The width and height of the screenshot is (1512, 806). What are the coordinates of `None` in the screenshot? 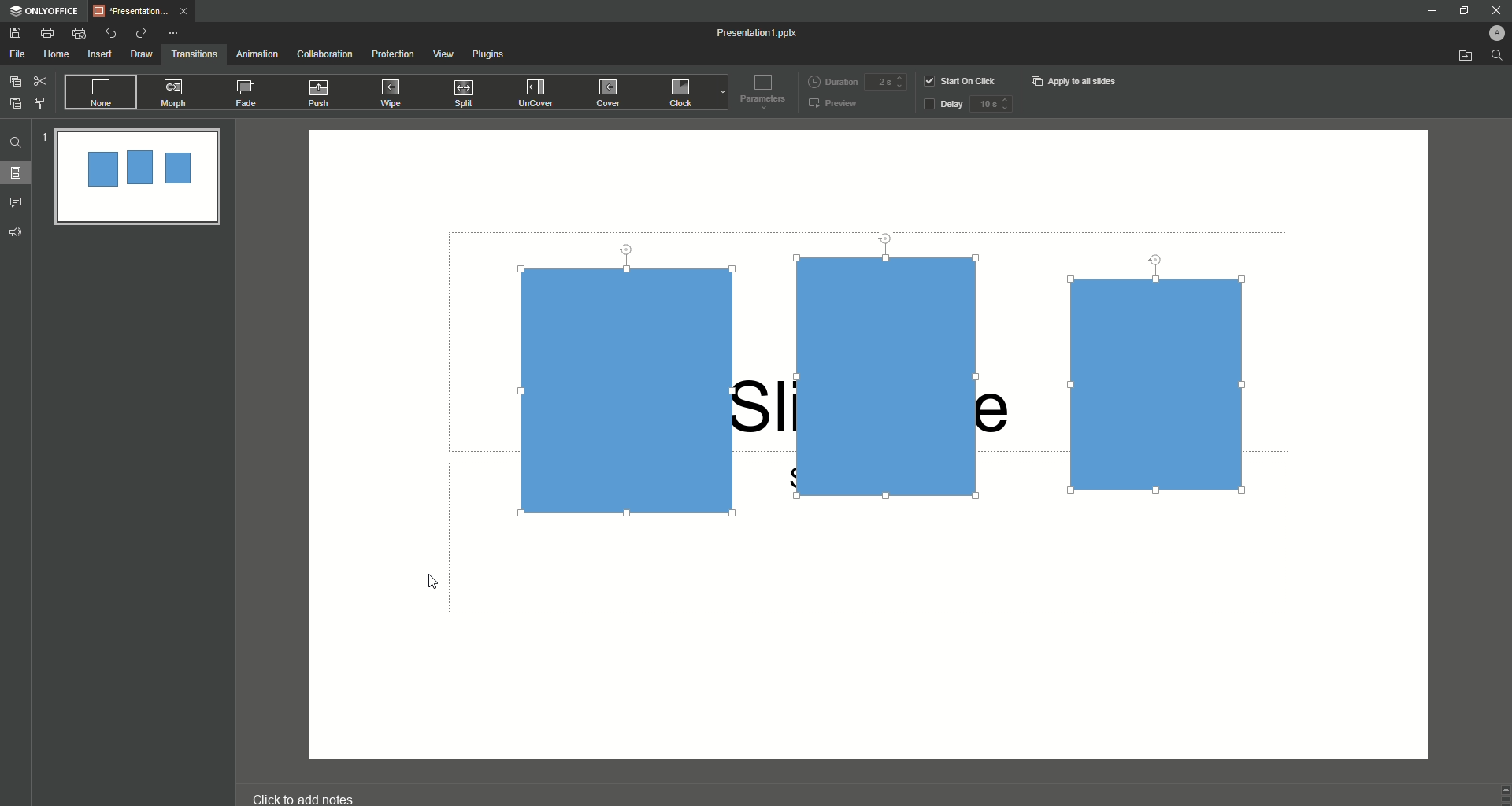 It's located at (99, 93).